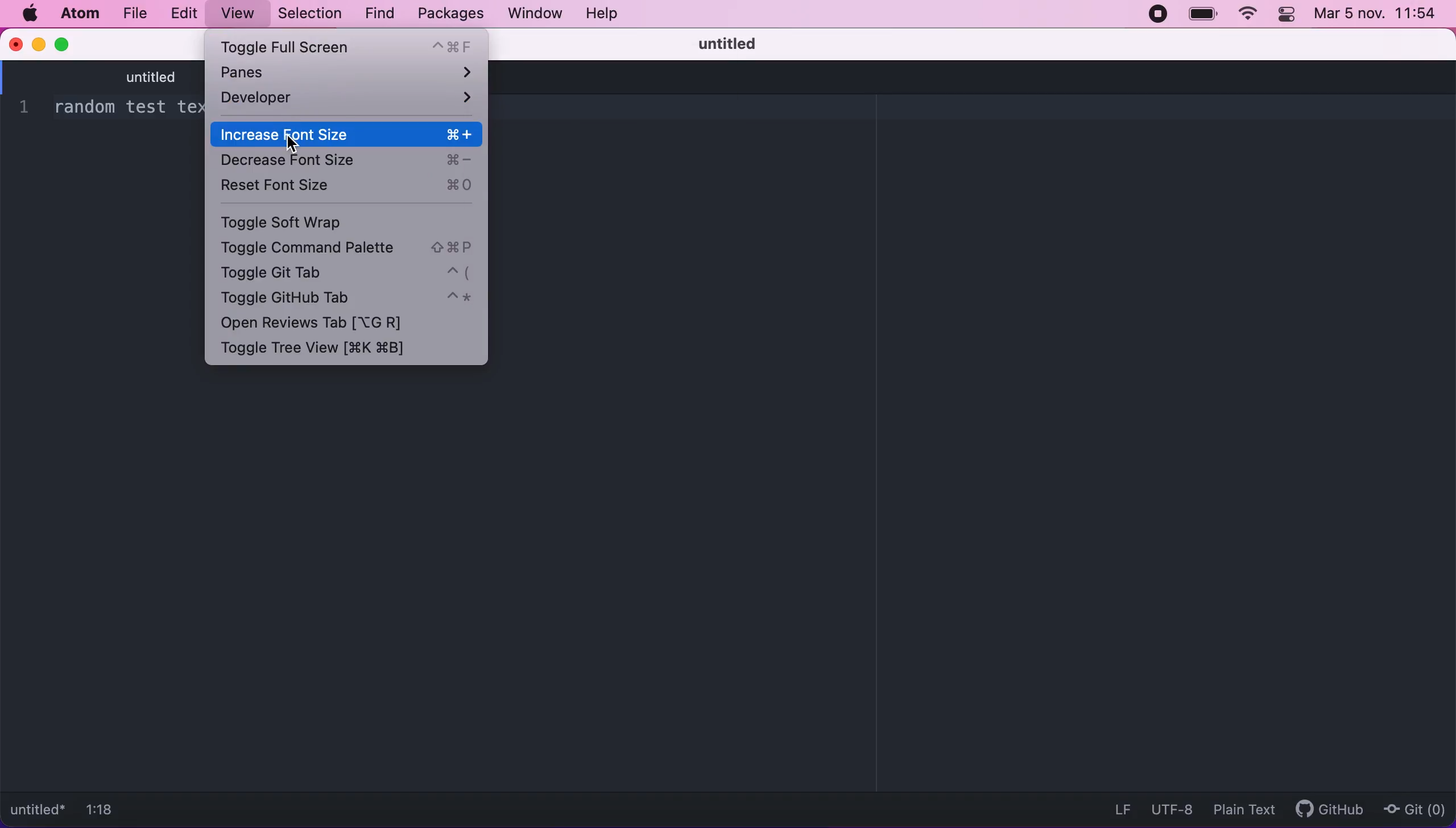 The height and width of the screenshot is (828, 1456). I want to click on battery, so click(1203, 14).